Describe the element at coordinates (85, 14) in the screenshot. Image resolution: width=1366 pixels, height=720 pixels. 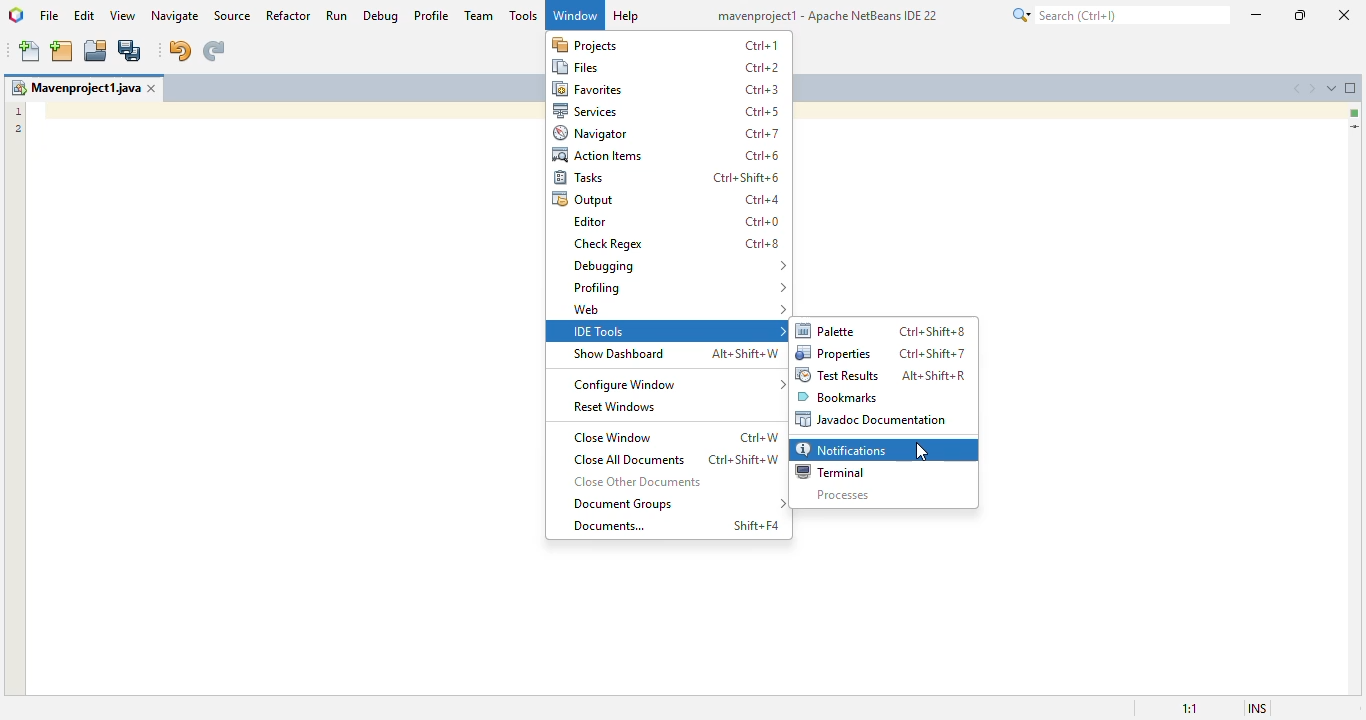
I see `edit` at that location.